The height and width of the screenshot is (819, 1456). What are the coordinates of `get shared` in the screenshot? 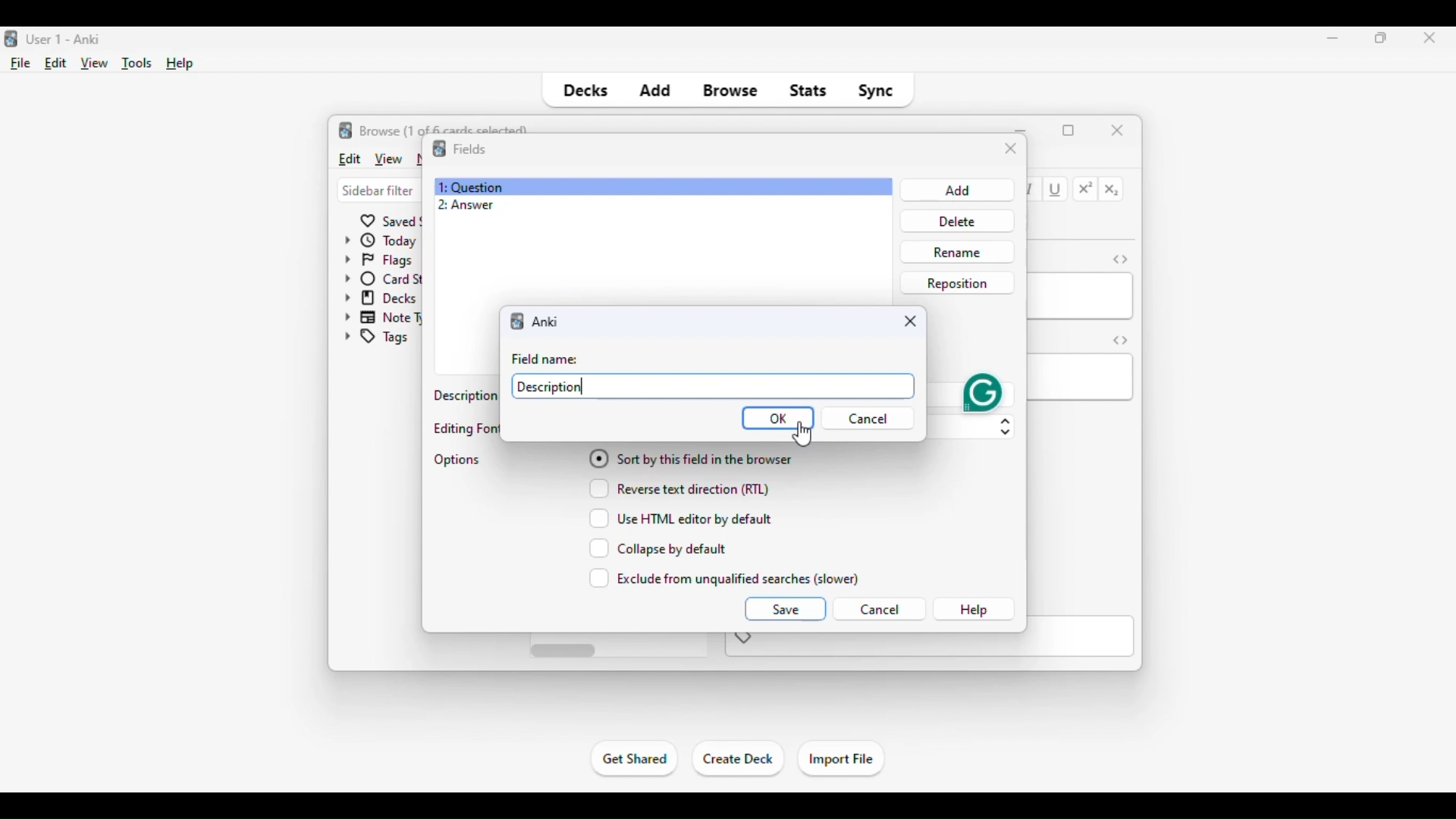 It's located at (635, 758).